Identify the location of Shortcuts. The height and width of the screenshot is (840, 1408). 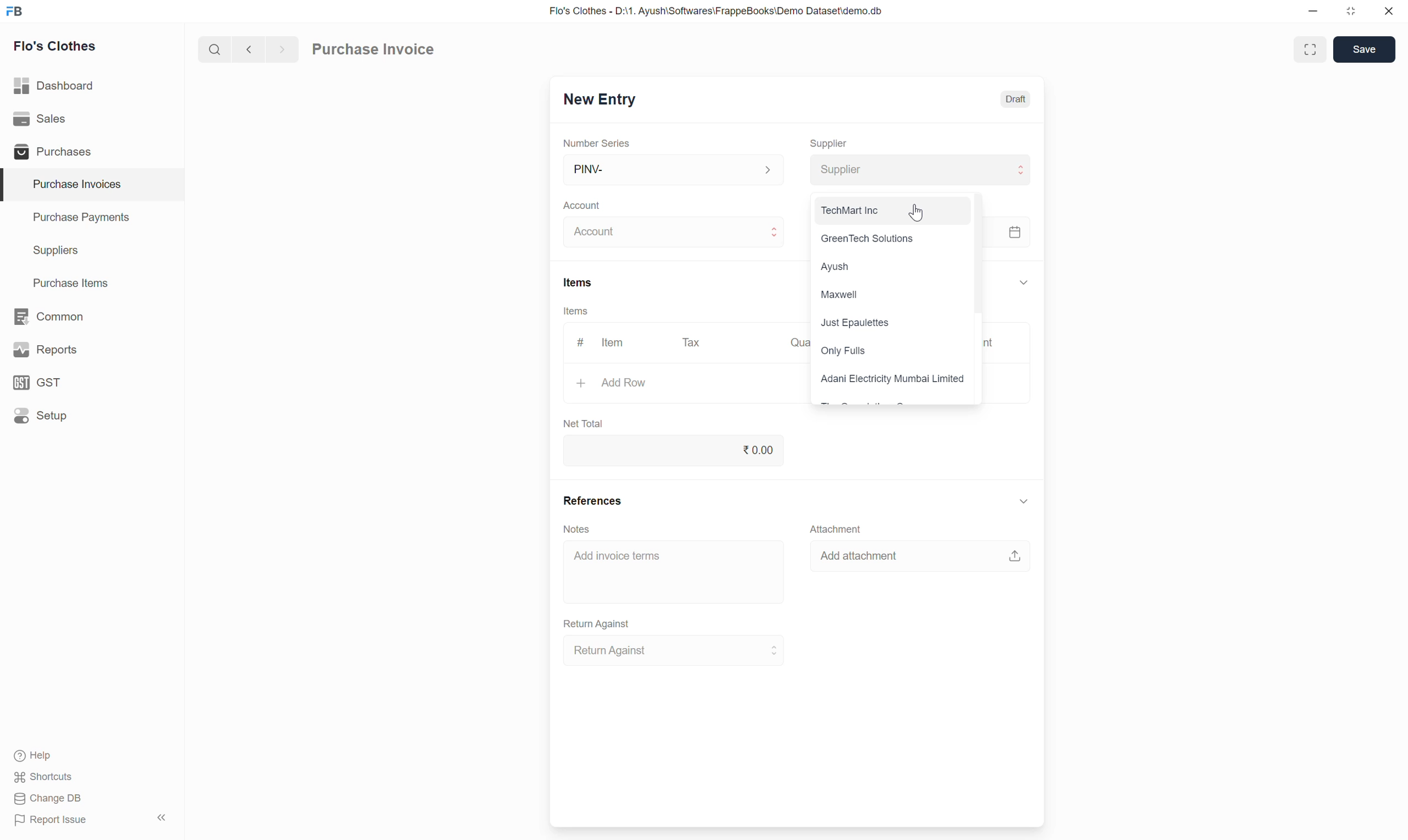
(44, 777).